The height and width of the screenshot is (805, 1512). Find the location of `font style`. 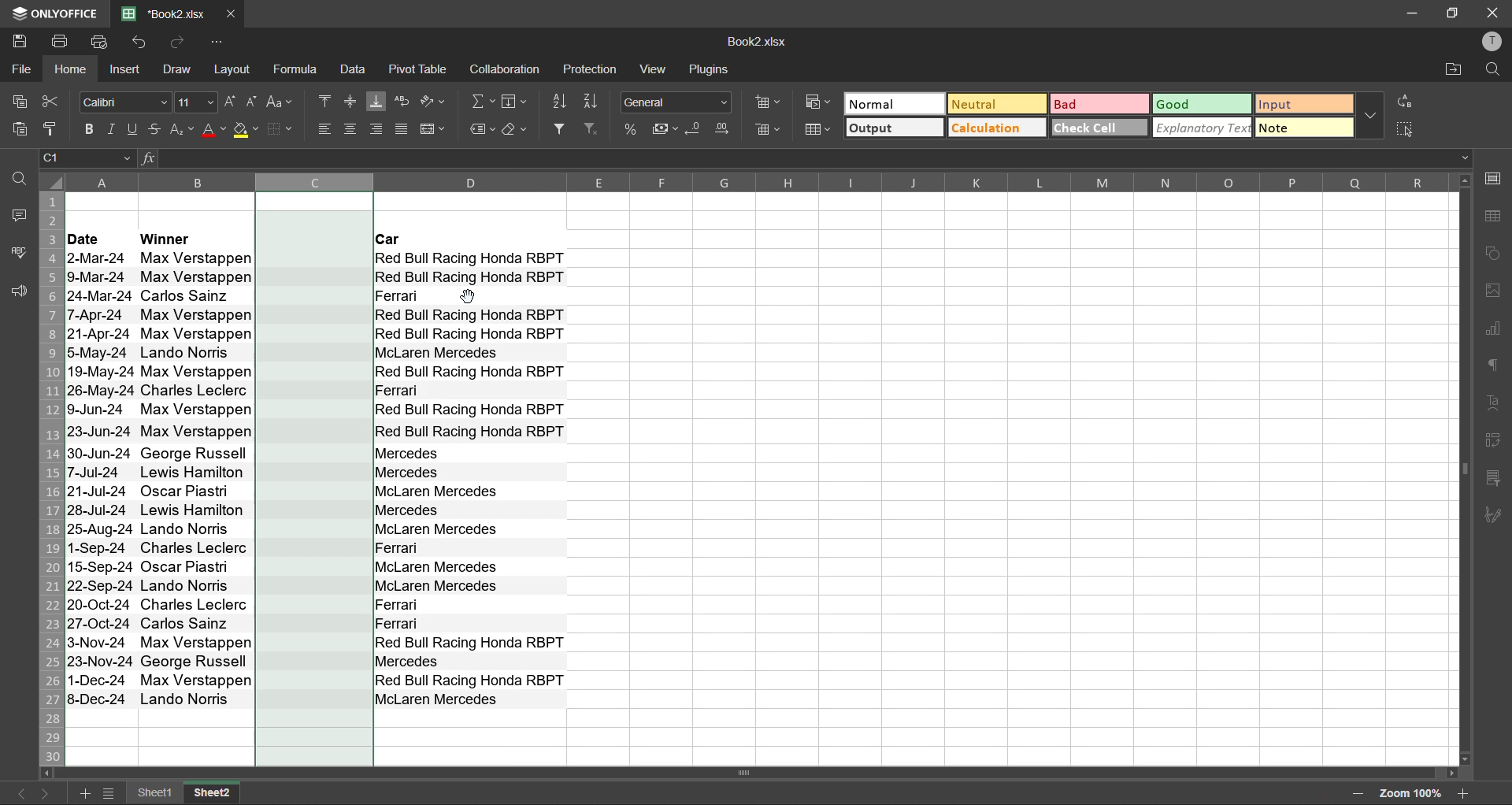

font style is located at coordinates (125, 102).